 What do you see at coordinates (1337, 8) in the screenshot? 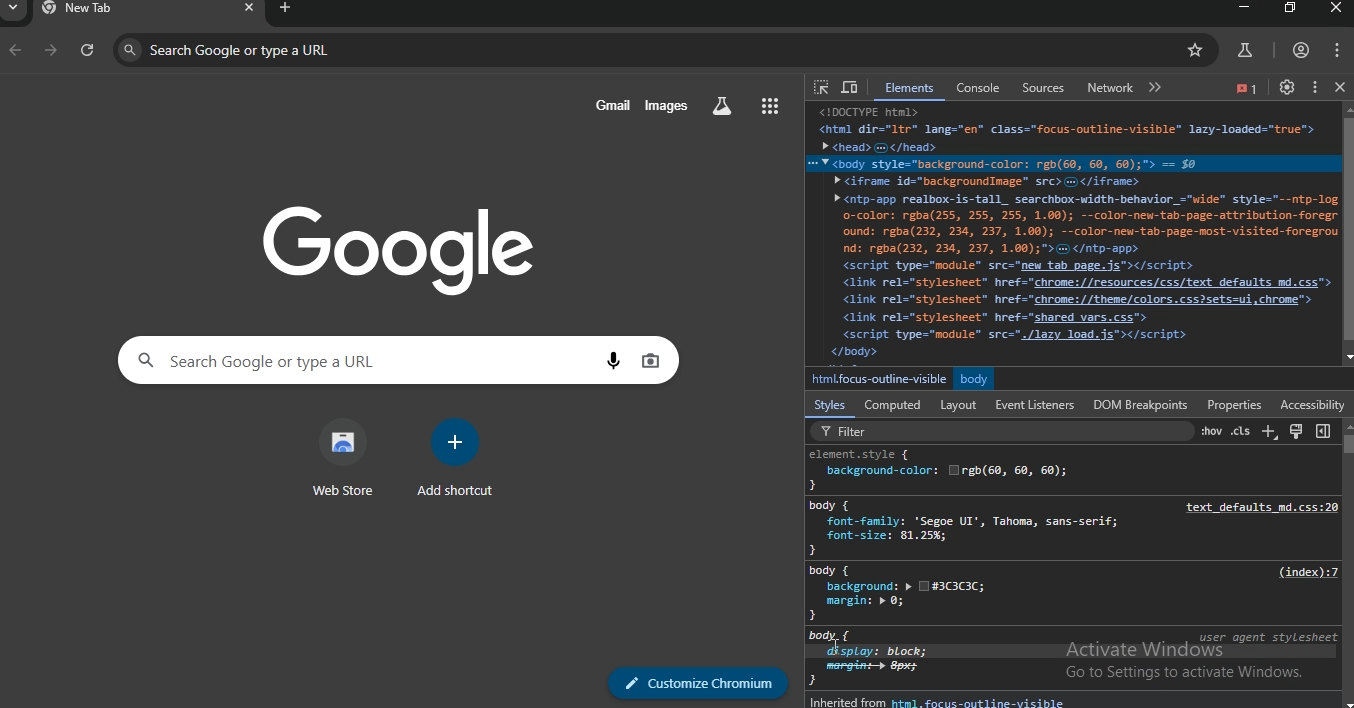
I see `close` at bounding box center [1337, 8].